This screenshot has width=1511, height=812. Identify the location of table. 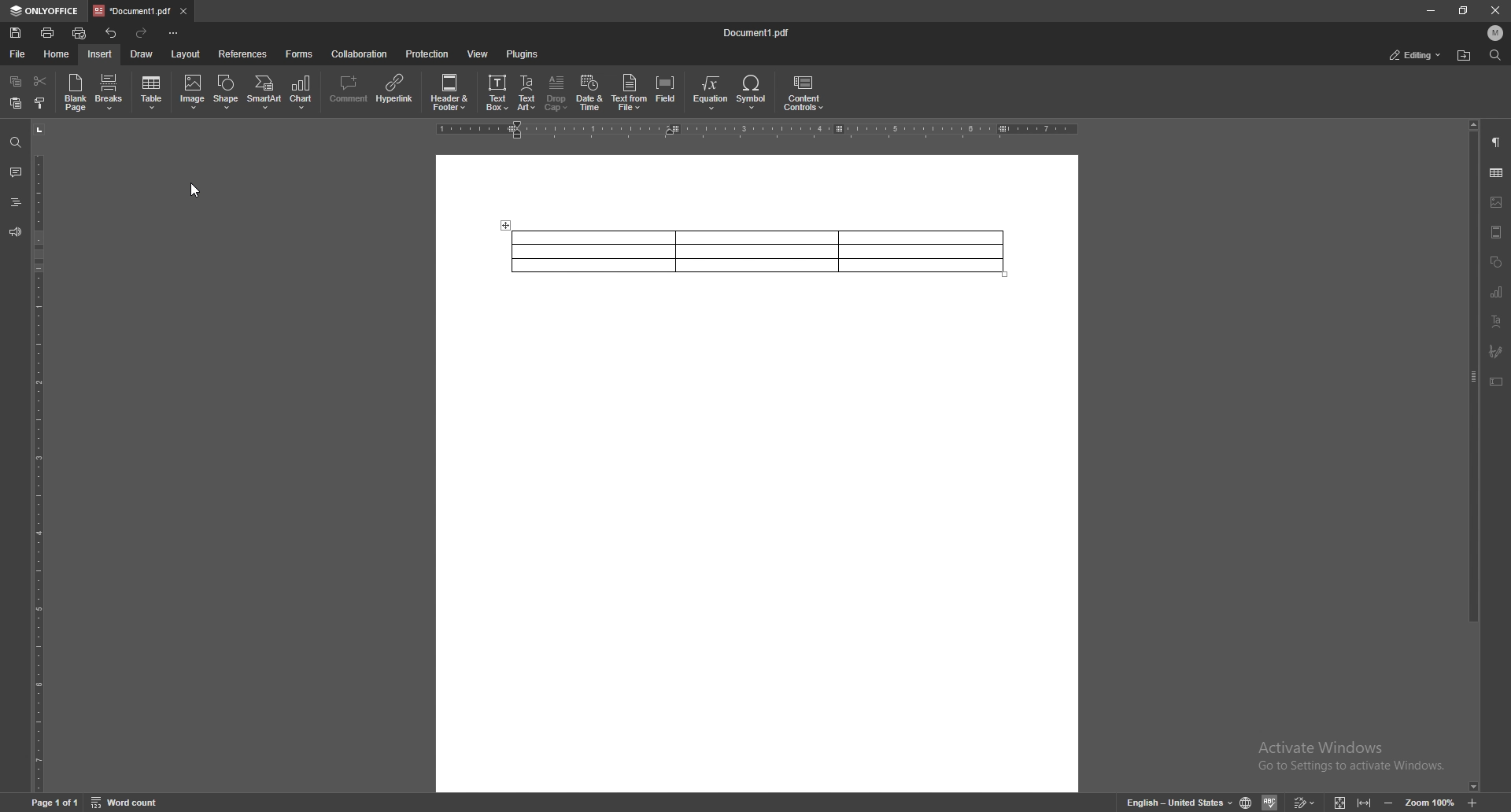
(756, 252).